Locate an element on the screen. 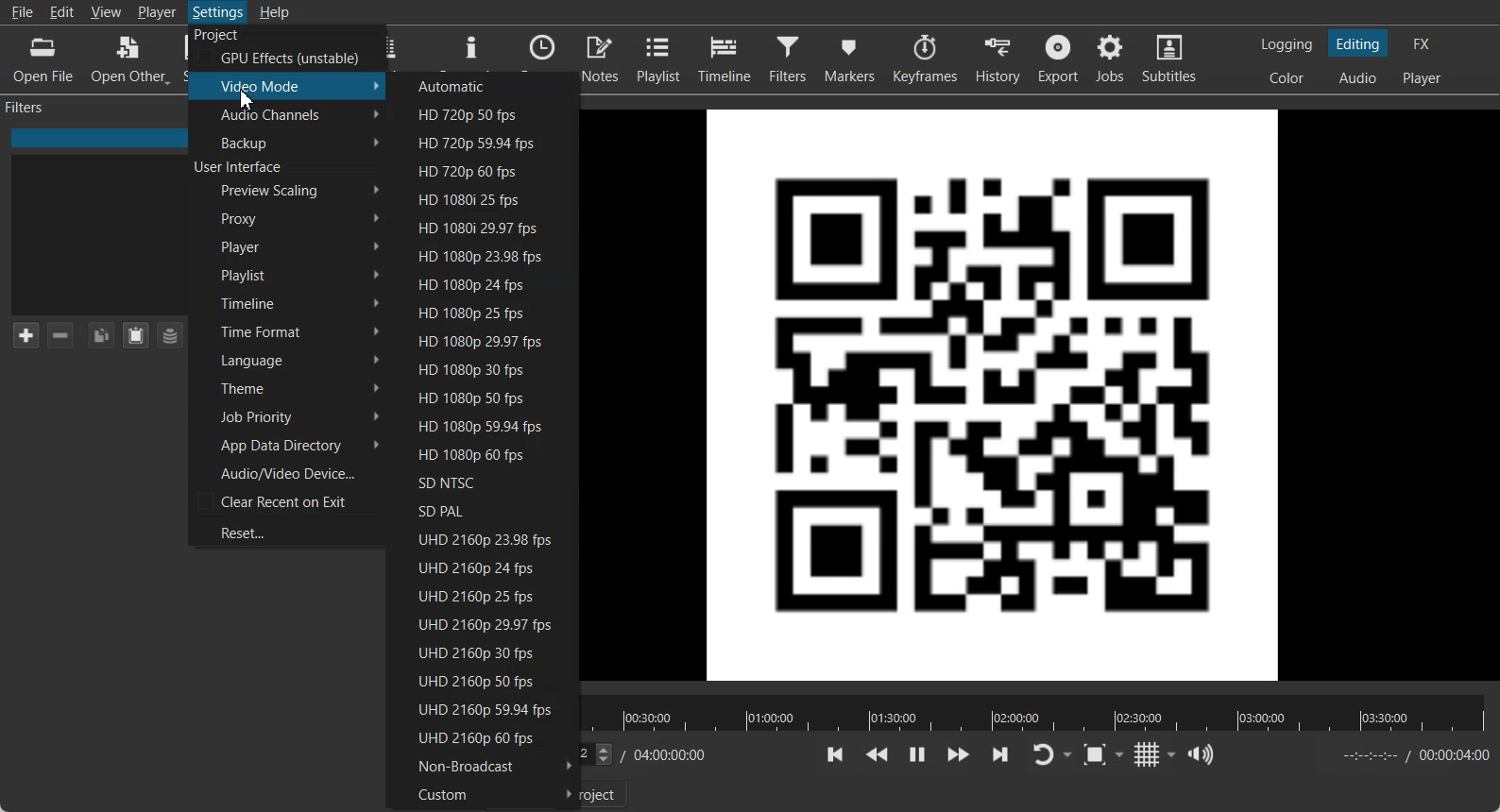 This screenshot has width=1500, height=812. Skip to the next point is located at coordinates (999, 754).